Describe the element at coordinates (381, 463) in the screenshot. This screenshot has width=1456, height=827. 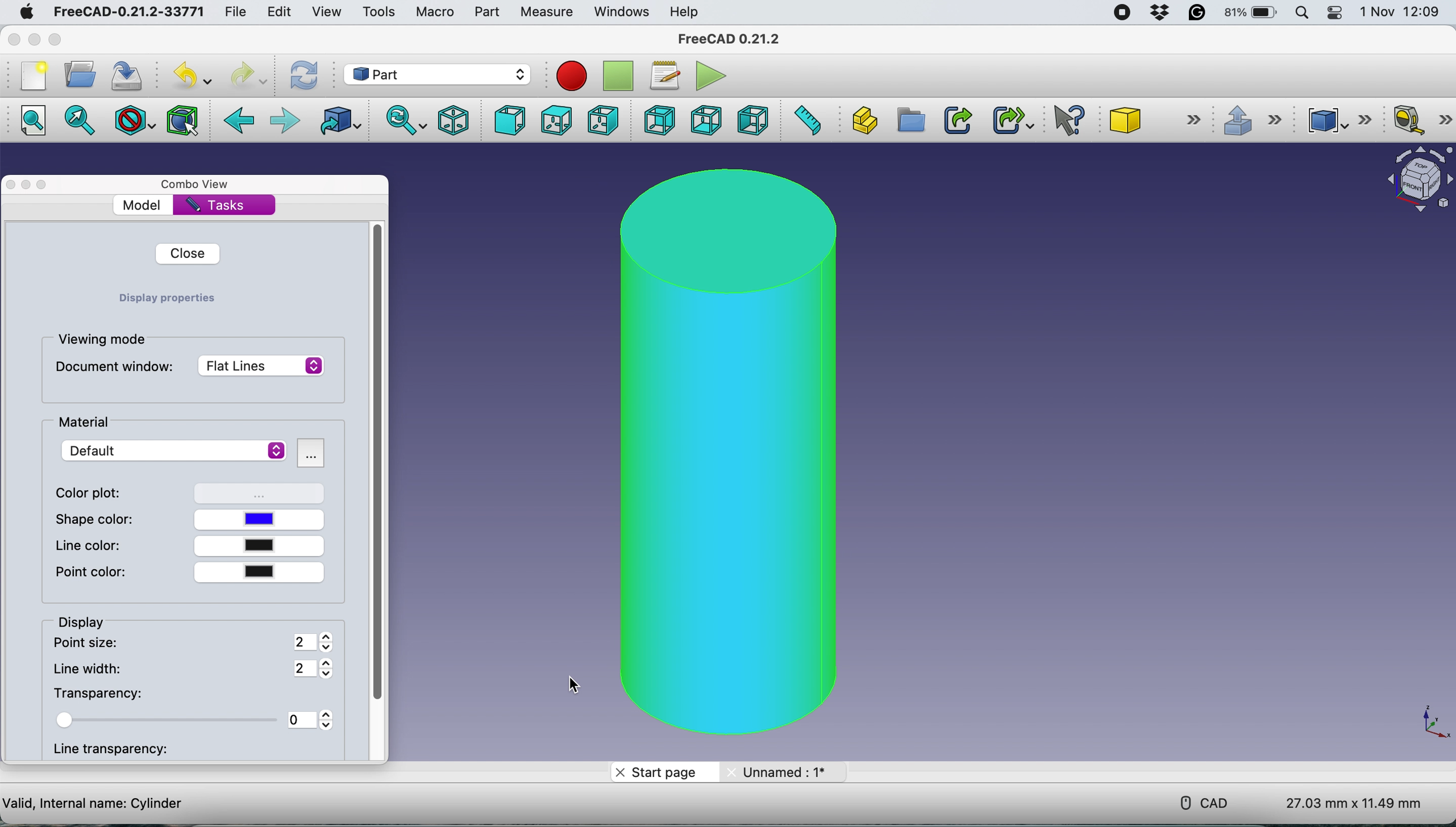
I see `vertical scroll bar` at that location.